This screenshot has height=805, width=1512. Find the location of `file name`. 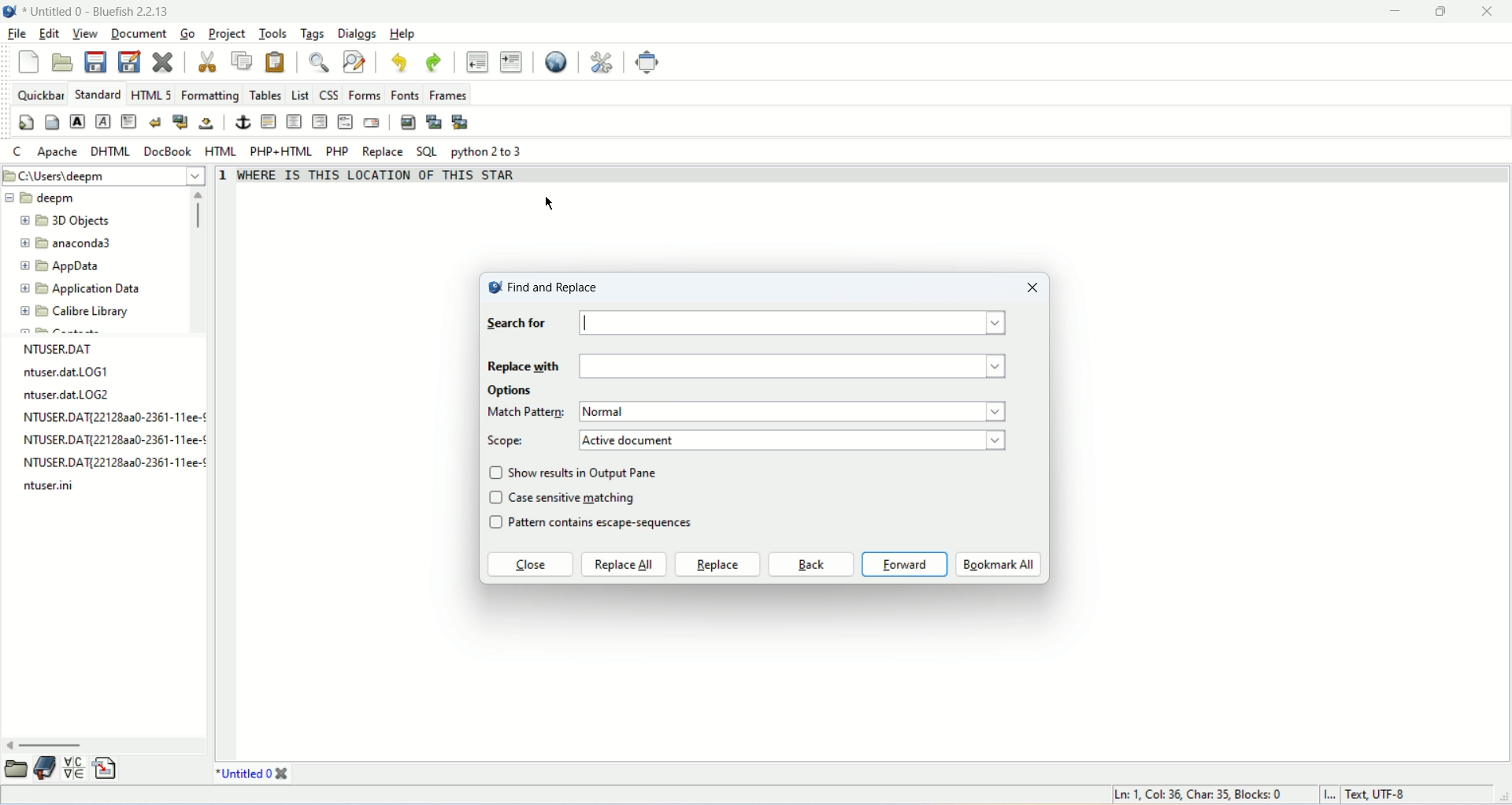

file name is located at coordinates (113, 465).